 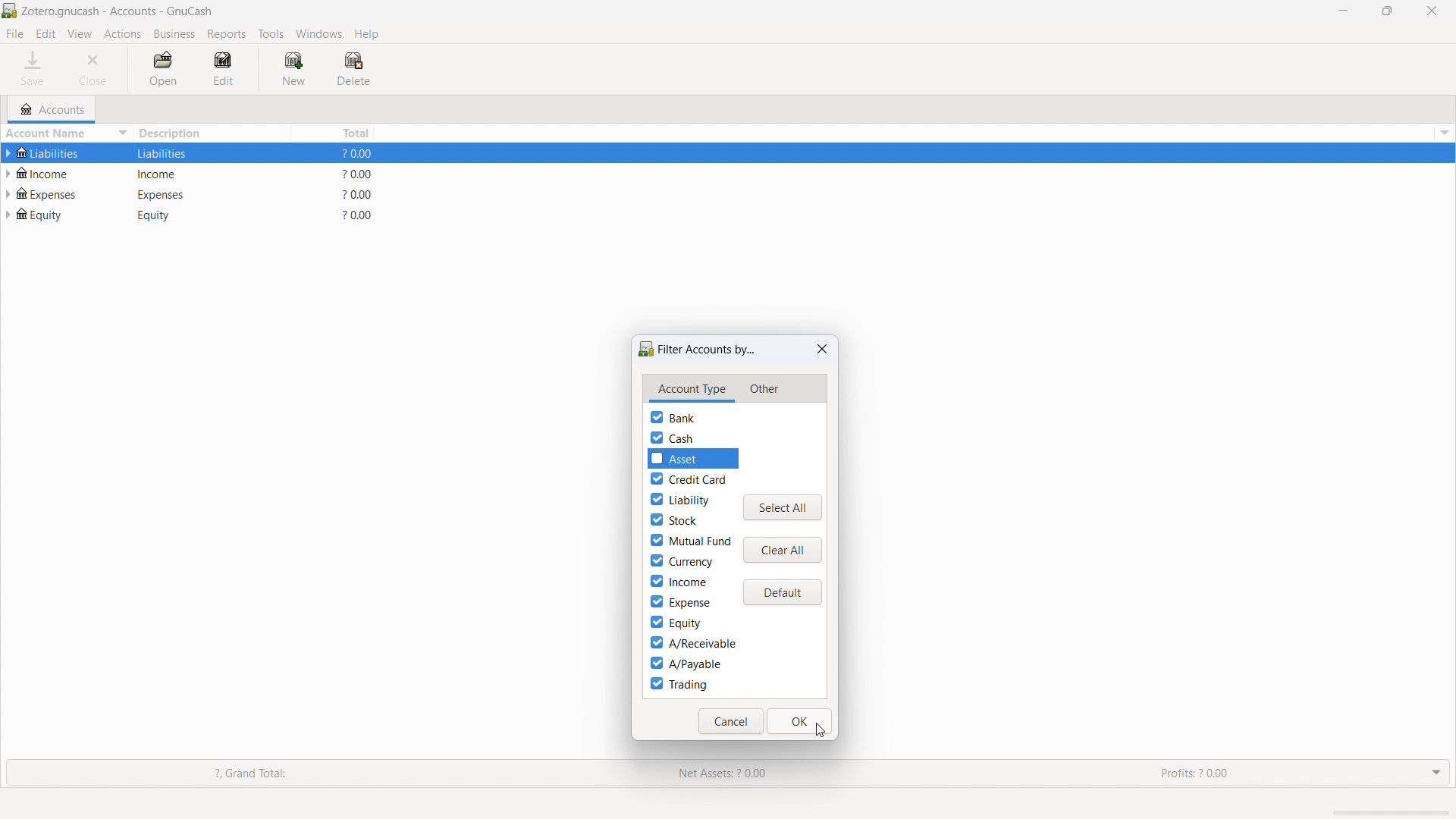 I want to click on Liabilities, so click(x=171, y=153).